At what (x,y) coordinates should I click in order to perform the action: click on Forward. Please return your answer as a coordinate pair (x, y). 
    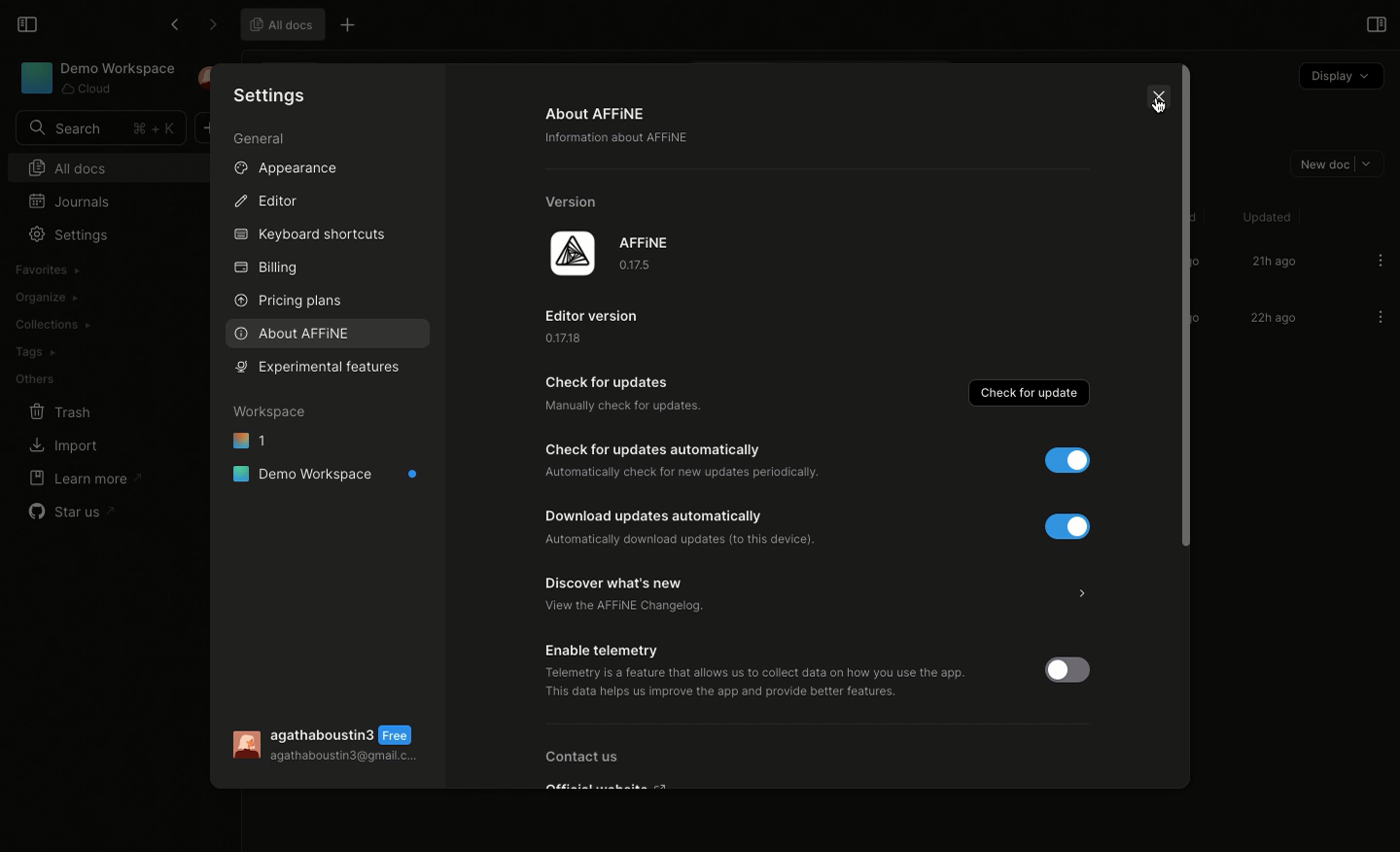
    Looking at the image, I should click on (212, 25).